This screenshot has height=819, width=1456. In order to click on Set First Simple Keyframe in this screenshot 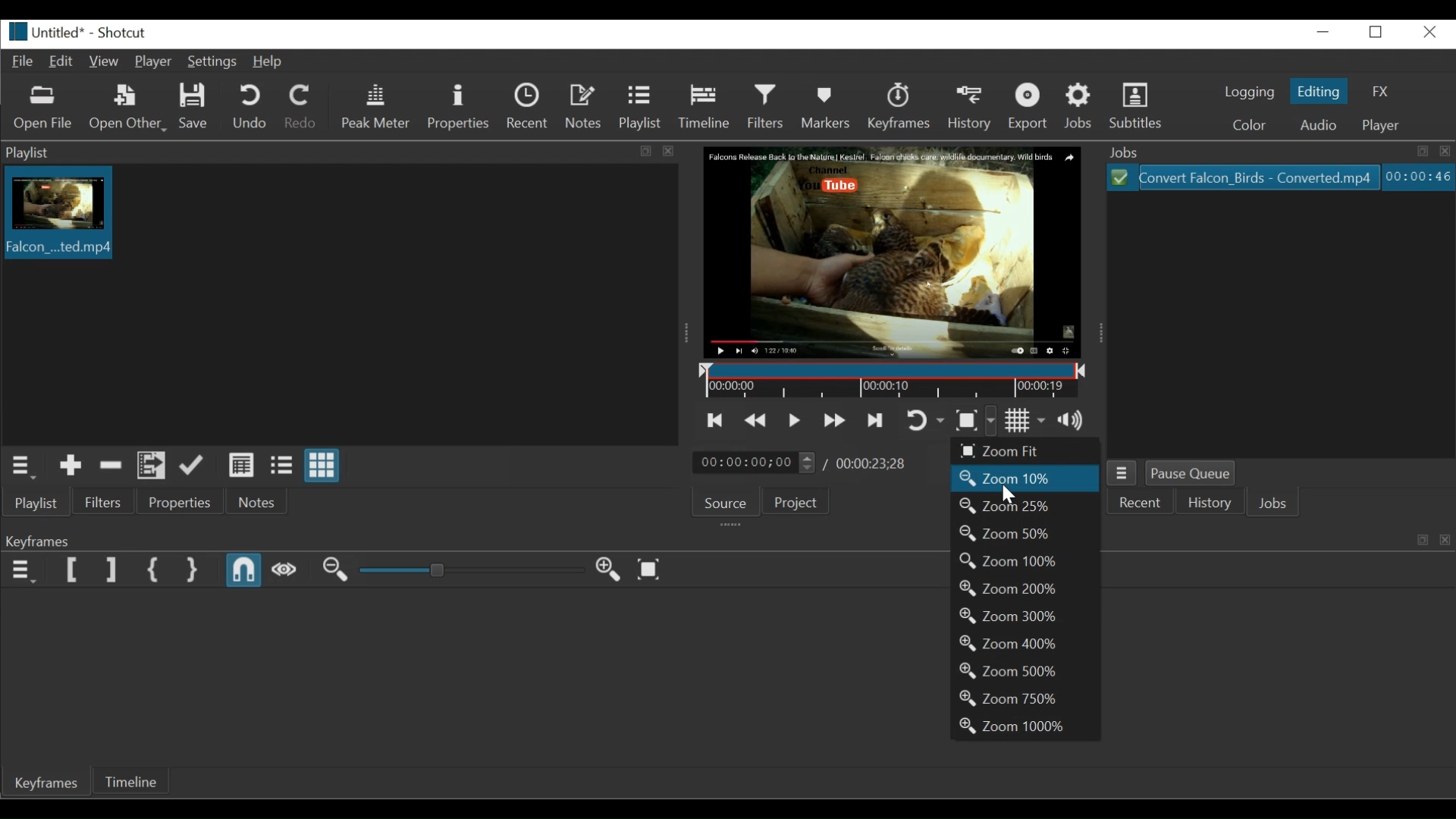, I will do `click(152, 570)`.